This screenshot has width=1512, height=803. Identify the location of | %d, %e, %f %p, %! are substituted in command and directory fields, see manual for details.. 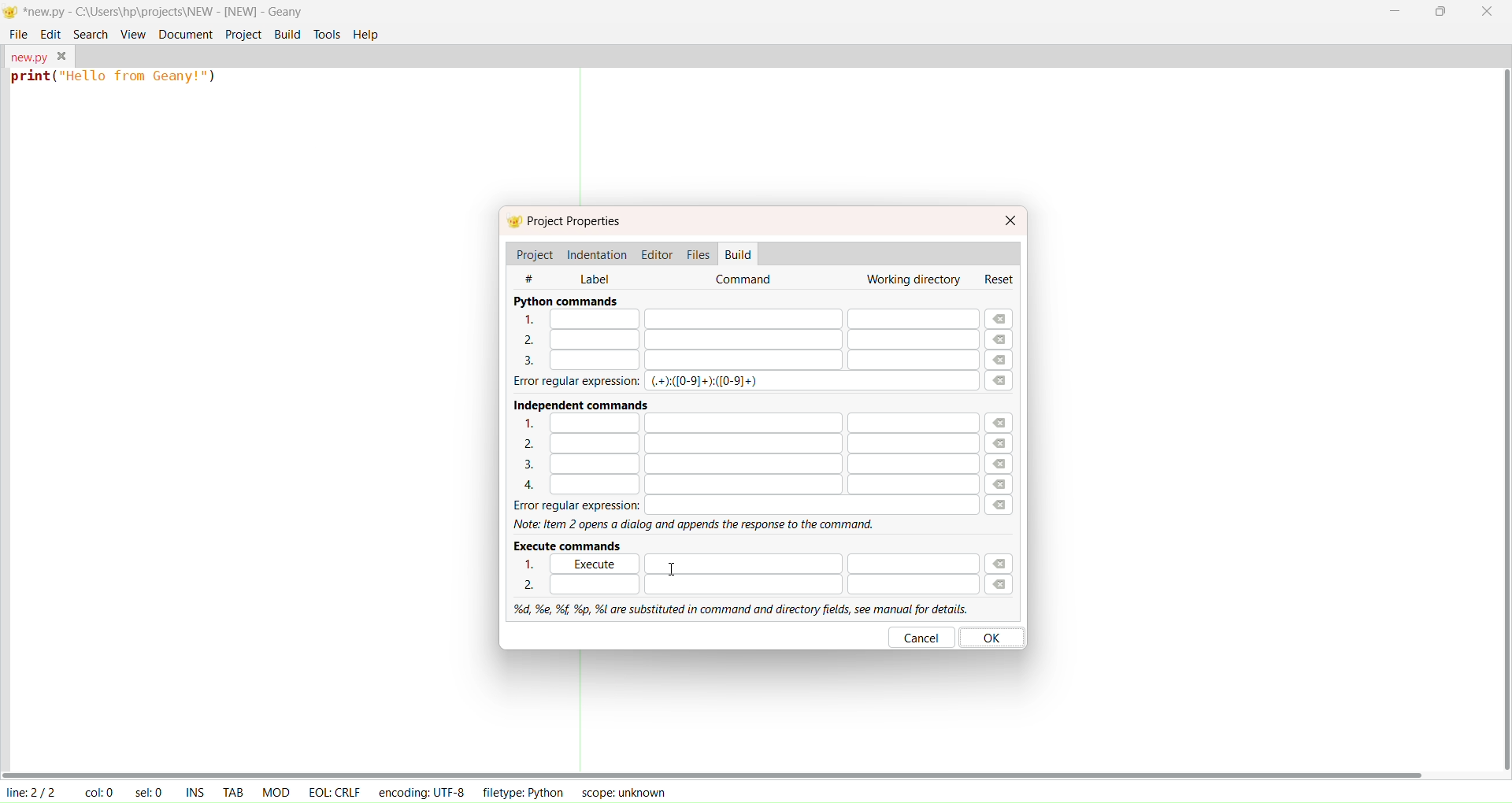
(736, 607).